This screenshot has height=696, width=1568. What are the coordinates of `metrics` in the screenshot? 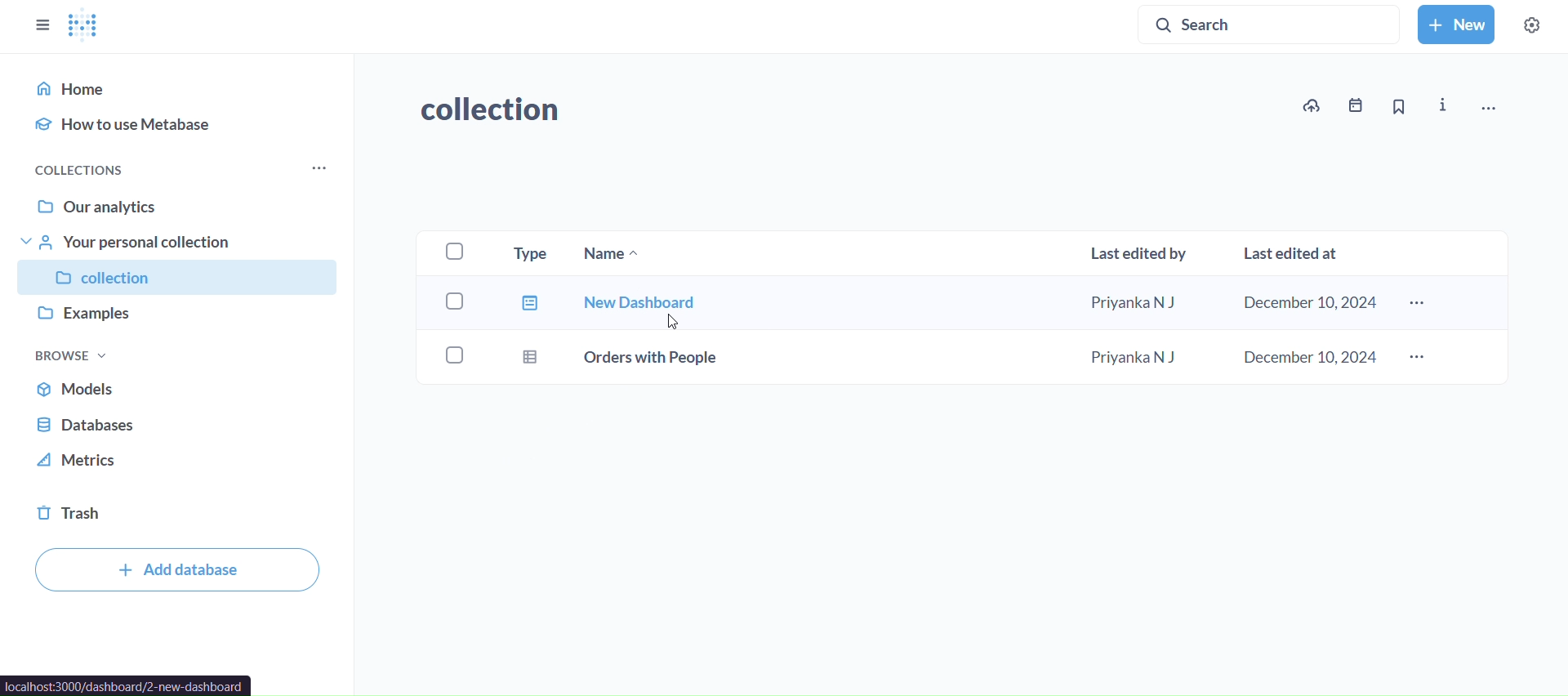 It's located at (185, 464).